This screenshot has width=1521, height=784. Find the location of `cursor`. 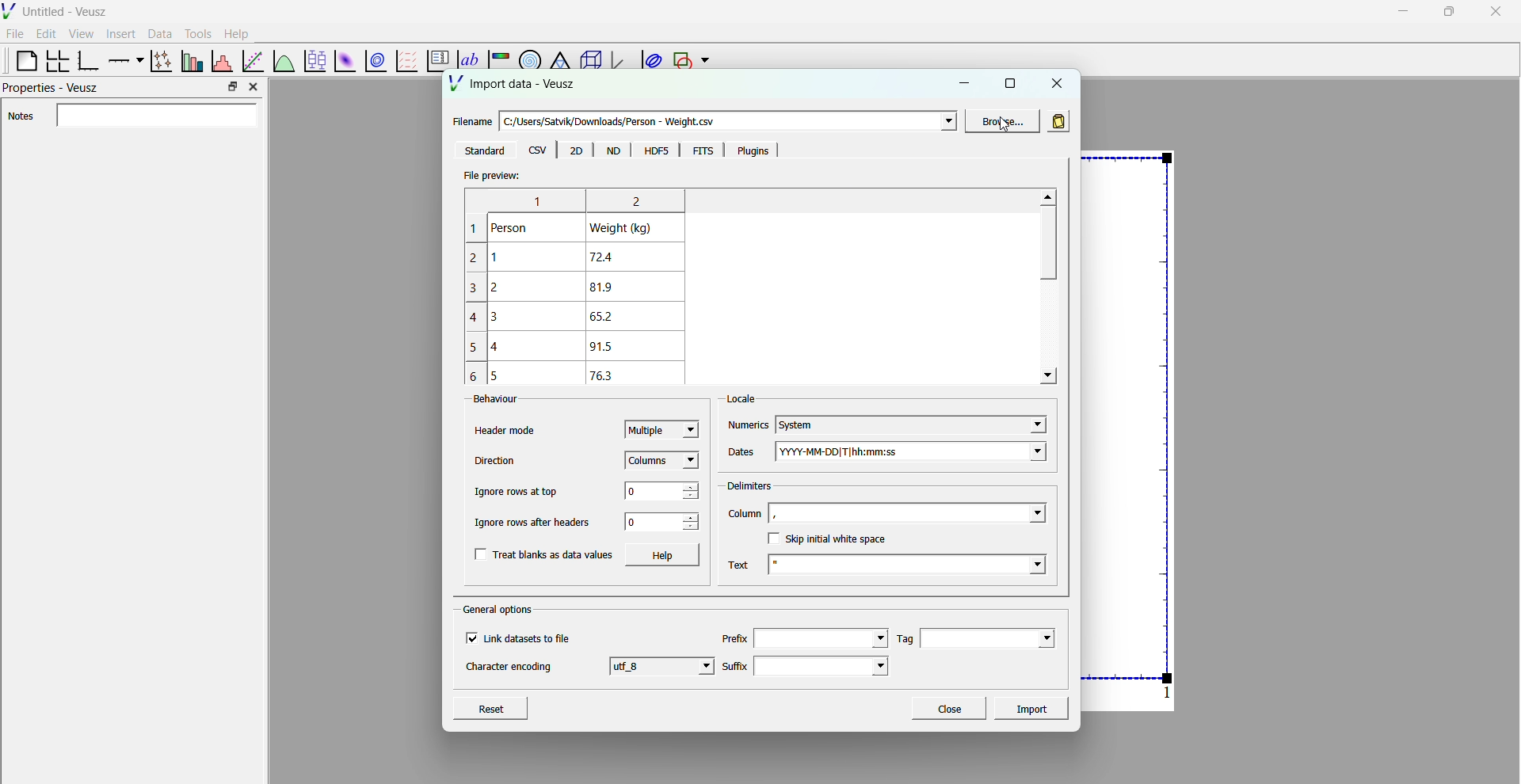

cursor is located at coordinates (1005, 131).